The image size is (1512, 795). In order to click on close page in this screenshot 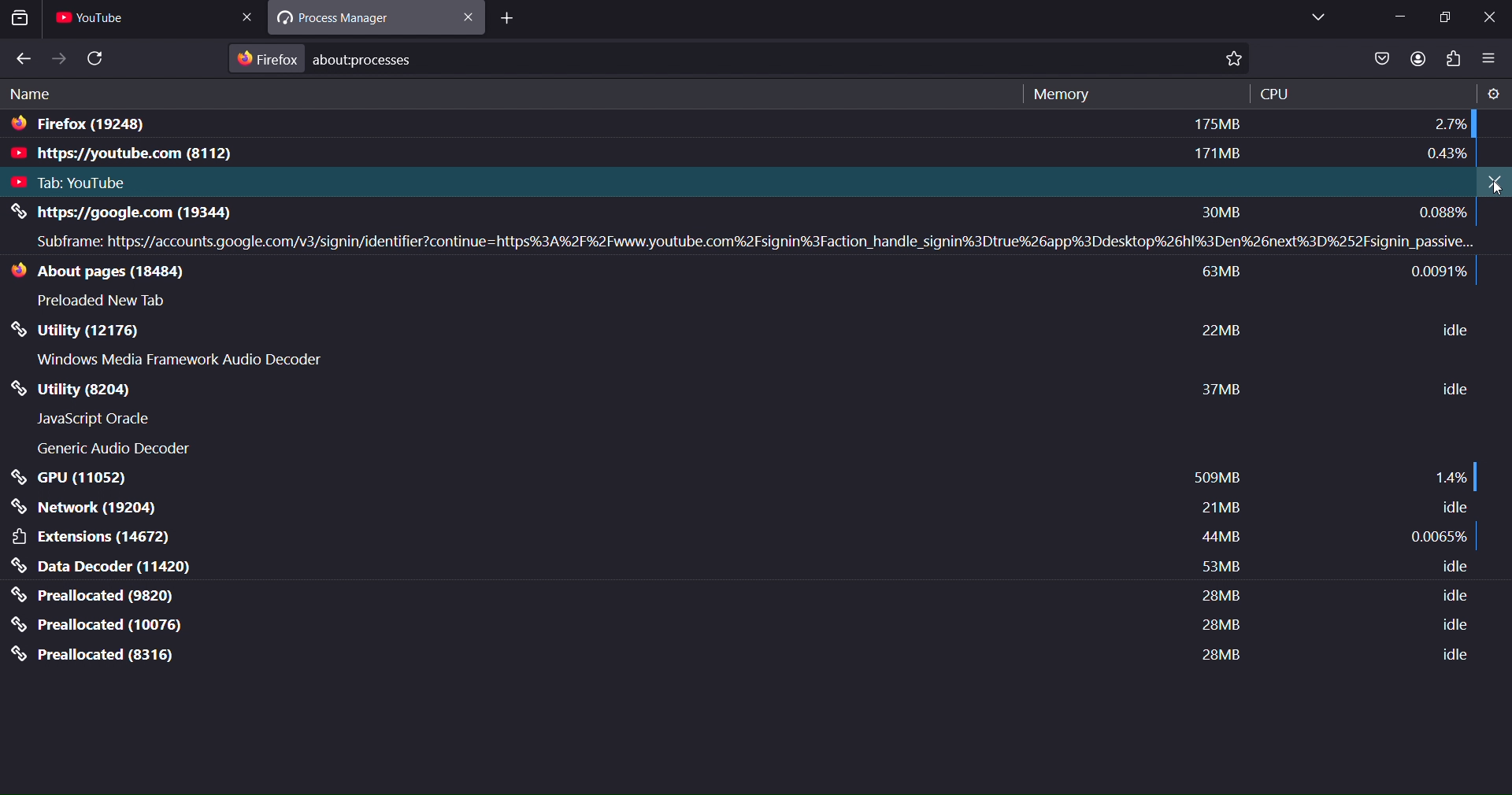, I will do `click(251, 17)`.